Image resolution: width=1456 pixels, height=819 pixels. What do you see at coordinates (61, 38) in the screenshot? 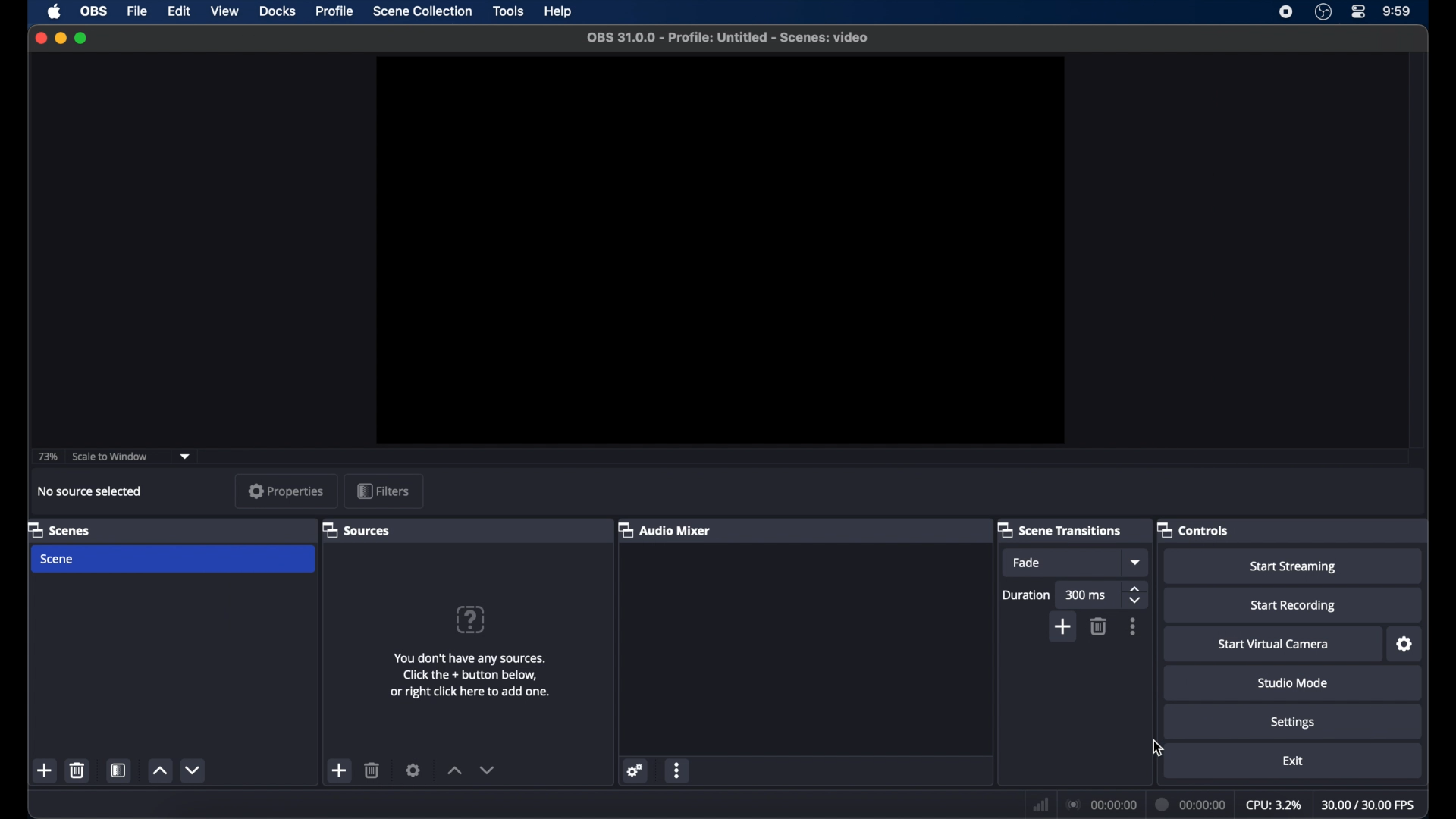
I see `minimize` at bounding box center [61, 38].